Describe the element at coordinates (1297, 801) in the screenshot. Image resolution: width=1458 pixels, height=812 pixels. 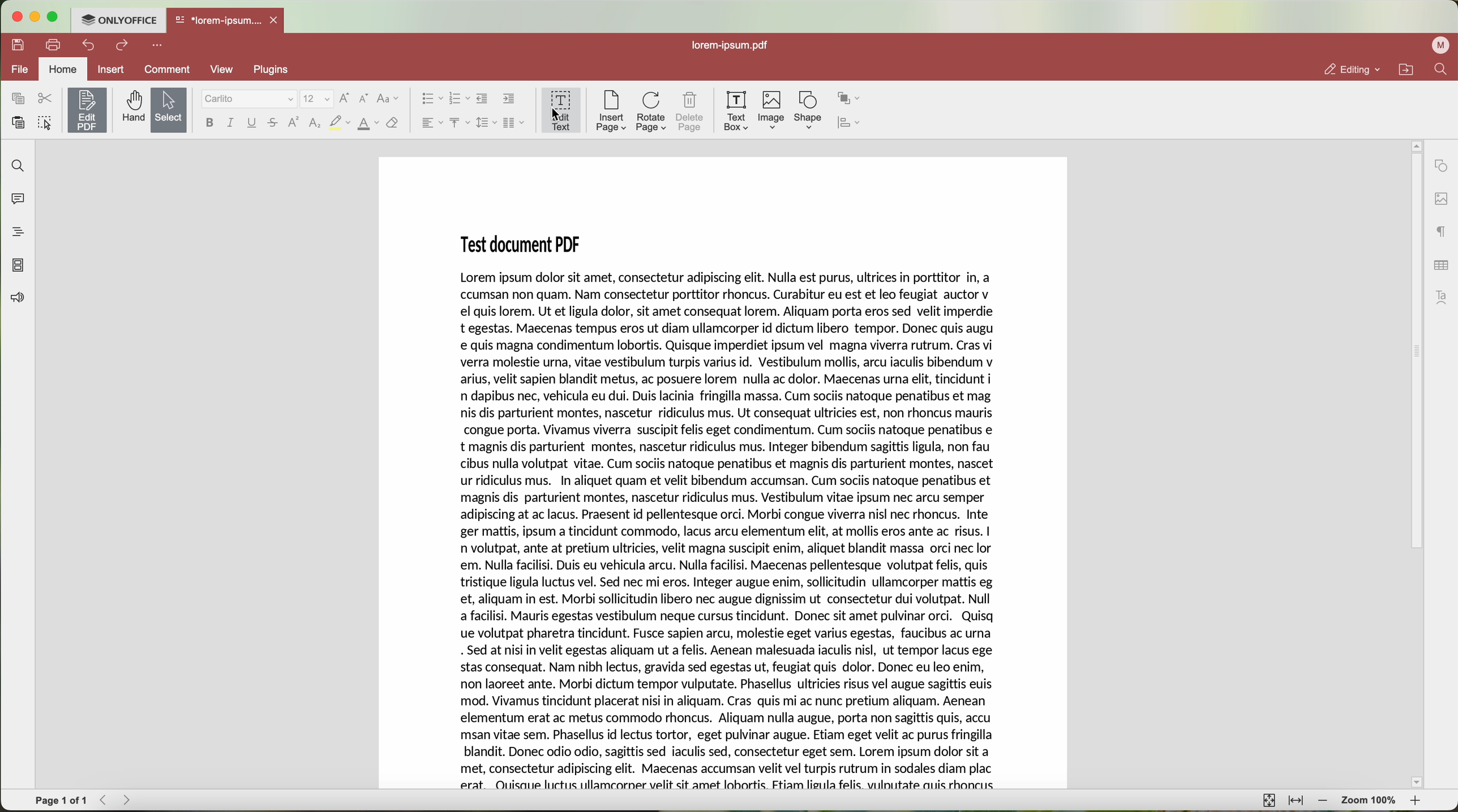
I see `fit to width` at that location.